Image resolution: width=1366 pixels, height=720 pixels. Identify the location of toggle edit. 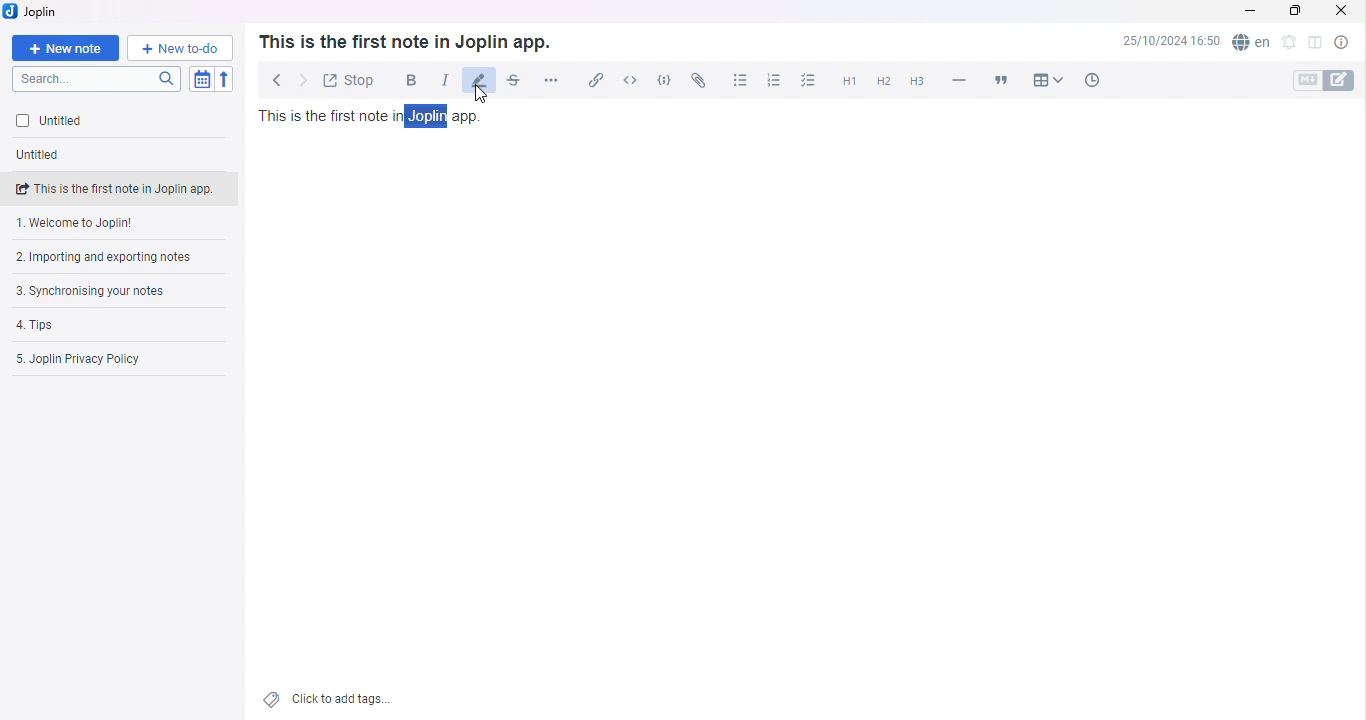
(1345, 80).